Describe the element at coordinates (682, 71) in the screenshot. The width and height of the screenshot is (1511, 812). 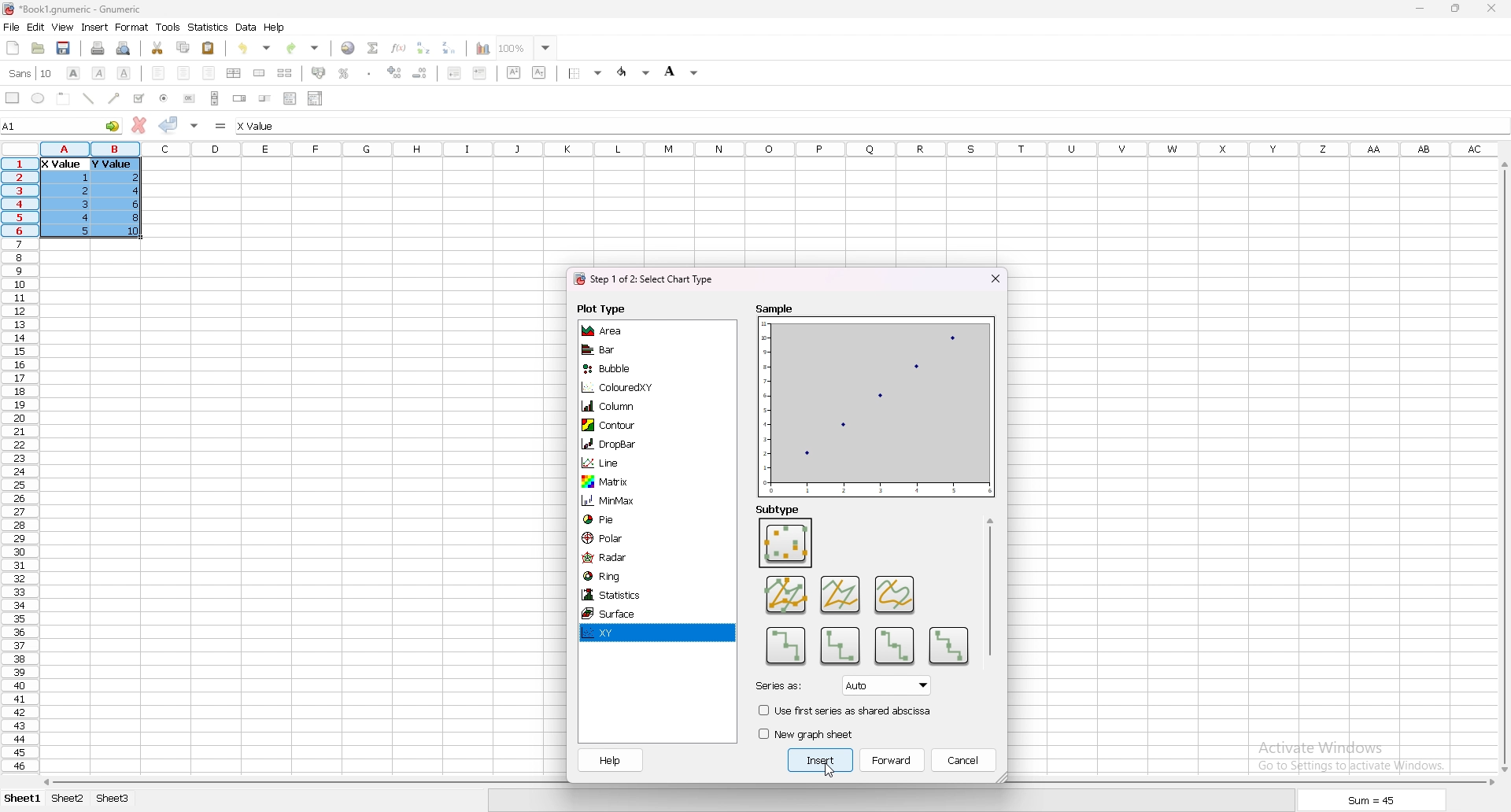
I see `background` at that location.